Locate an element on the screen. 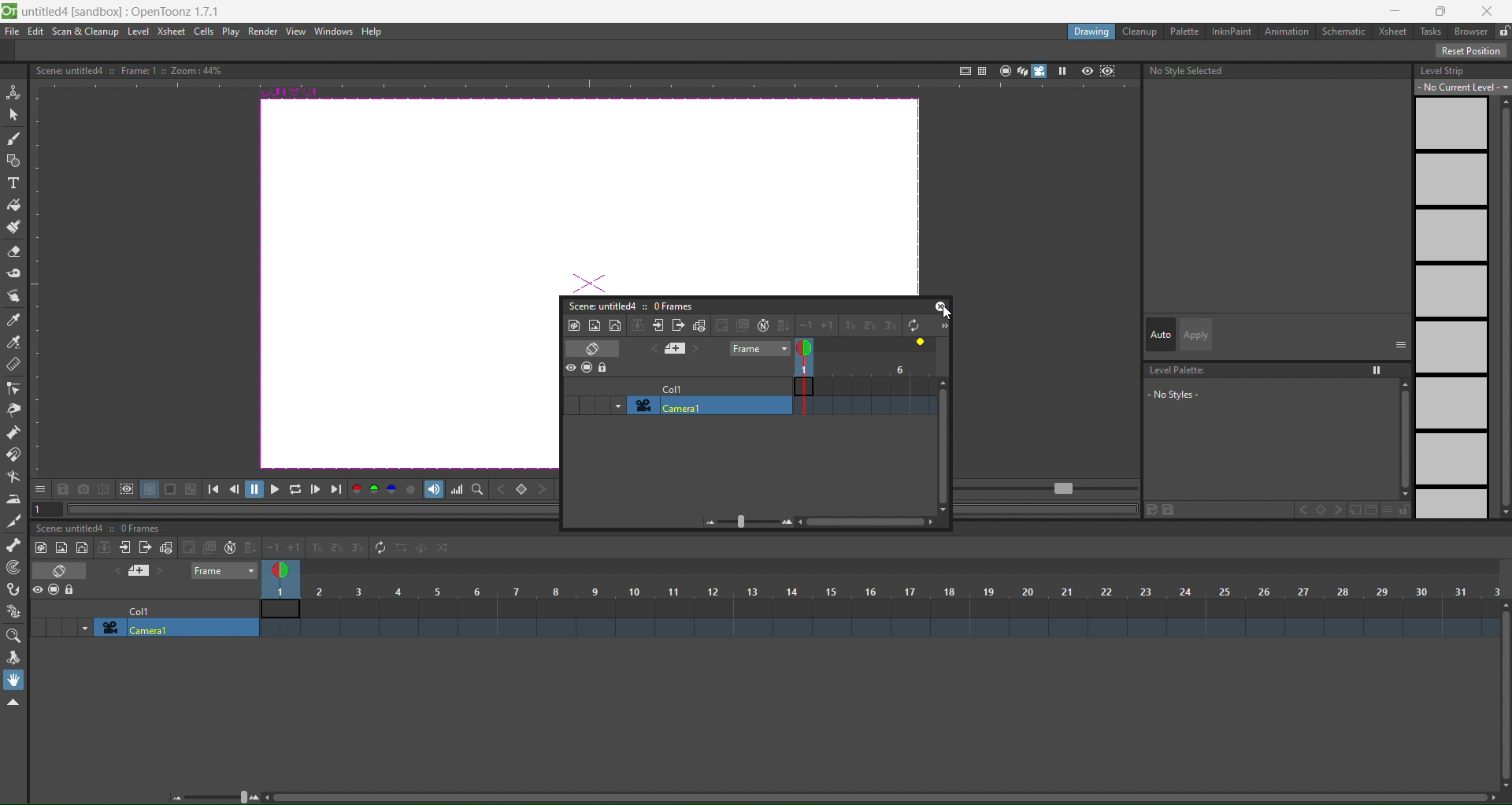  unlocked is located at coordinates (1503, 29).